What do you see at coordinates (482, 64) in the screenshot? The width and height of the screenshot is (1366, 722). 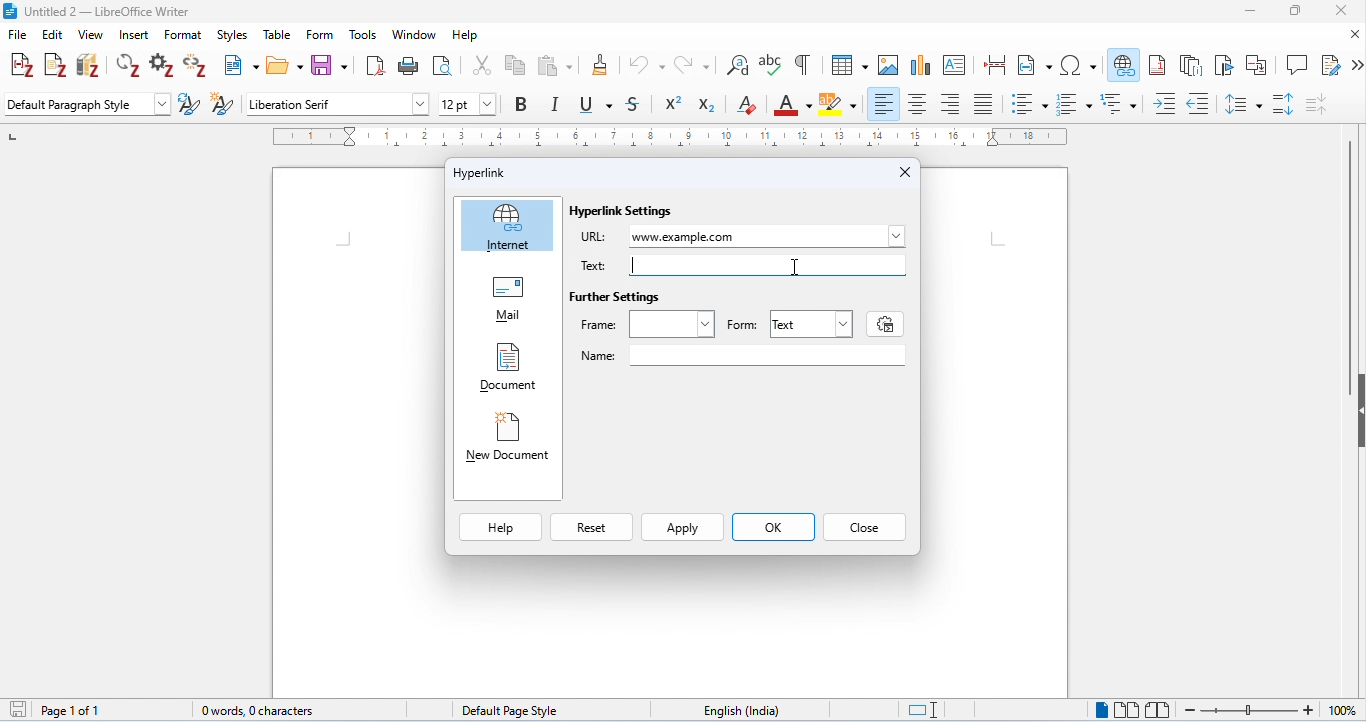 I see `cut` at bounding box center [482, 64].